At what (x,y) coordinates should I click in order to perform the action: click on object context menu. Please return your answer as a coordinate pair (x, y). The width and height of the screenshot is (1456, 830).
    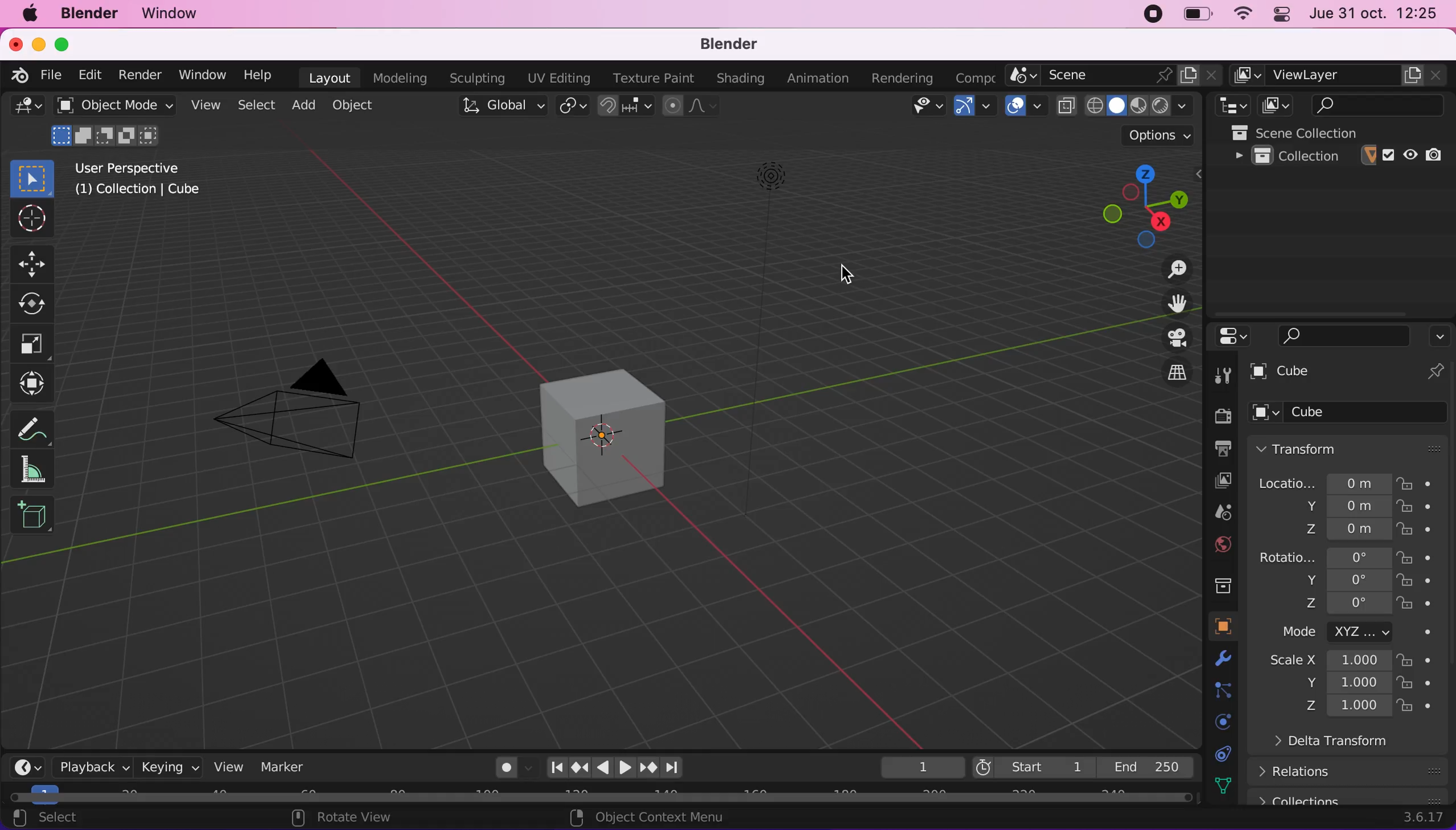
    Looking at the image, I should click on (642, 817).